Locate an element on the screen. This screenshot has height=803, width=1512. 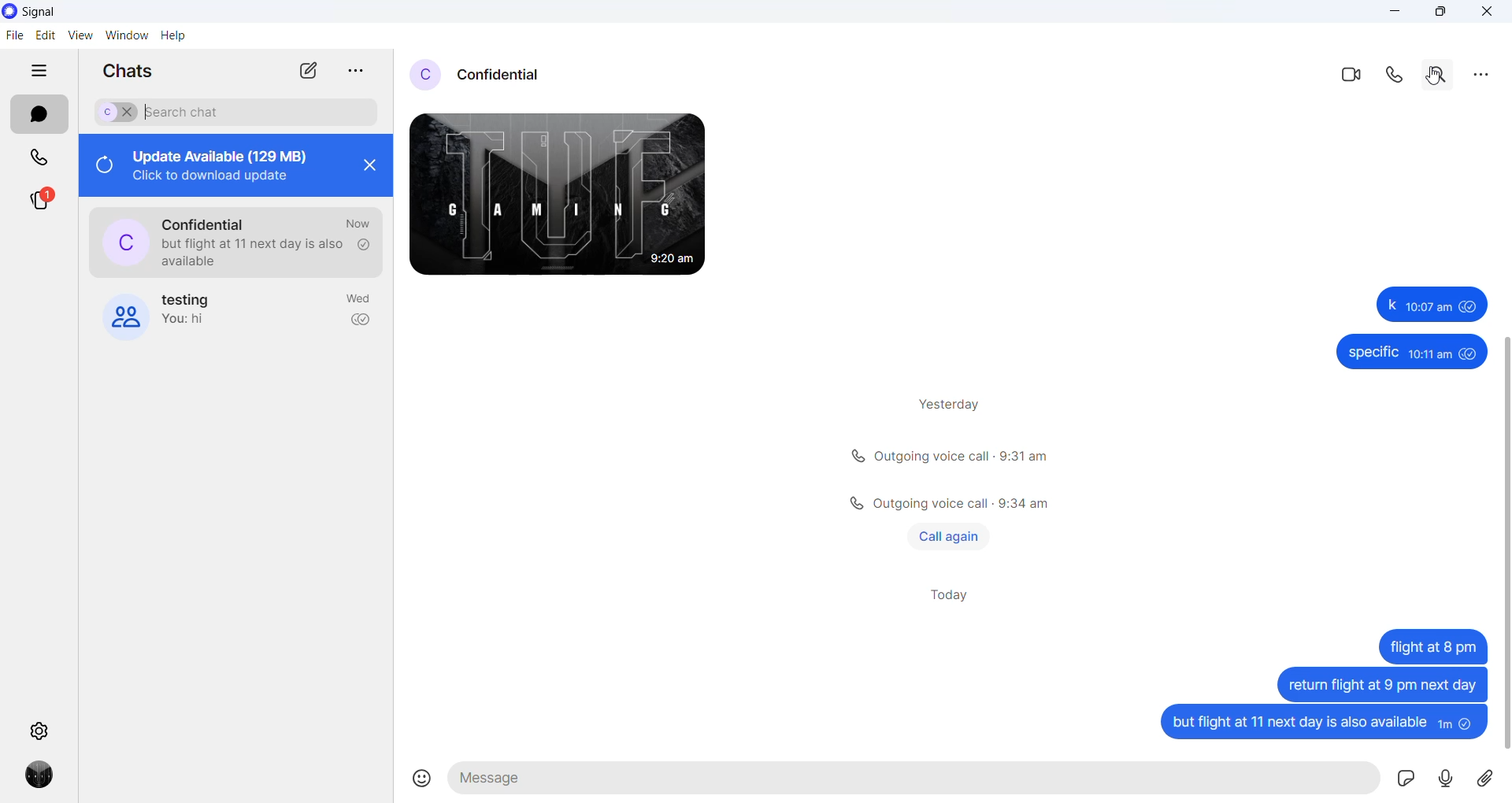
edit is located at coordinates (43, 37).